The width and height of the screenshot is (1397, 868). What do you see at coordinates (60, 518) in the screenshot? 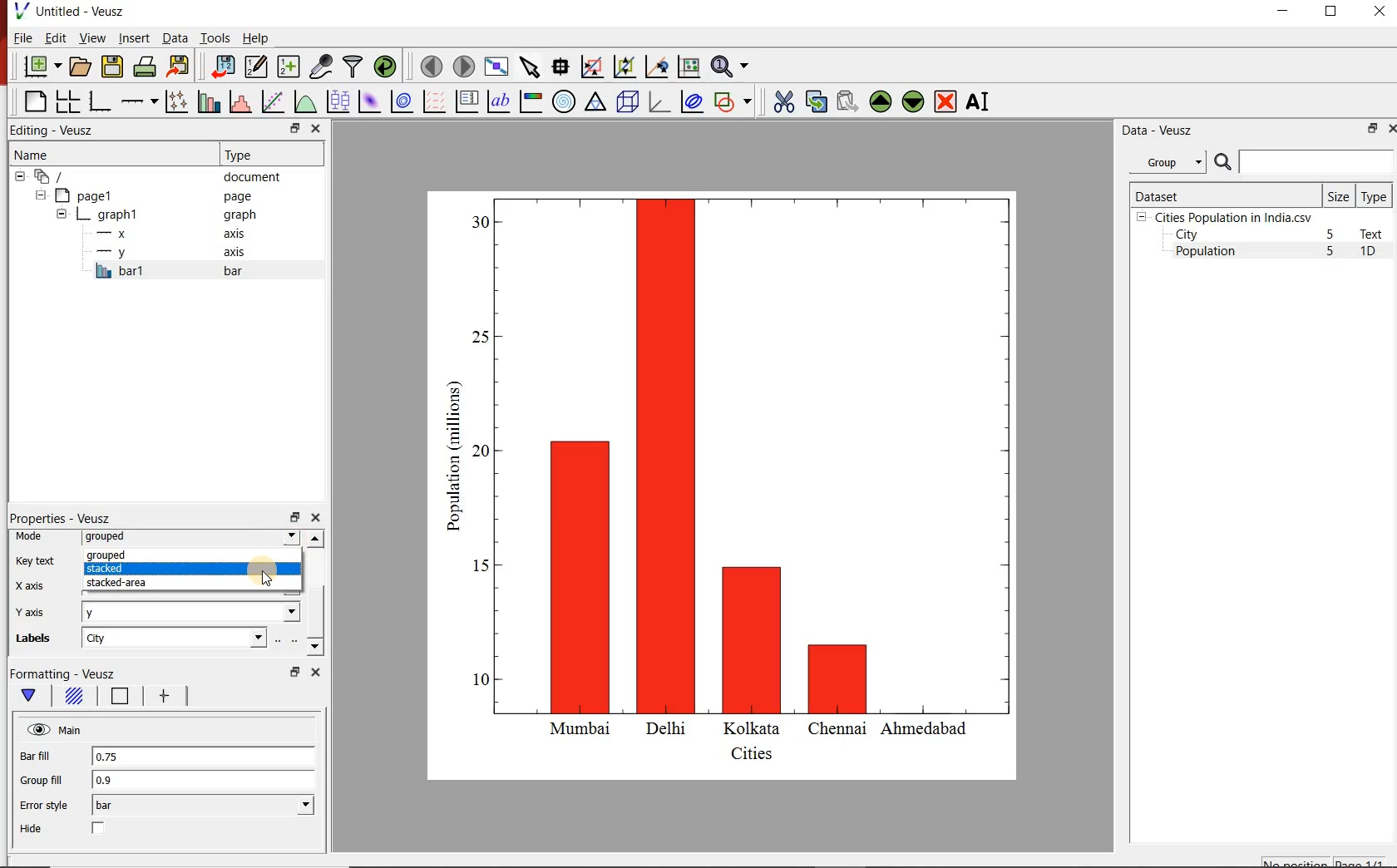
I see `Properties - Veusz` at bounding box center [60, 518].